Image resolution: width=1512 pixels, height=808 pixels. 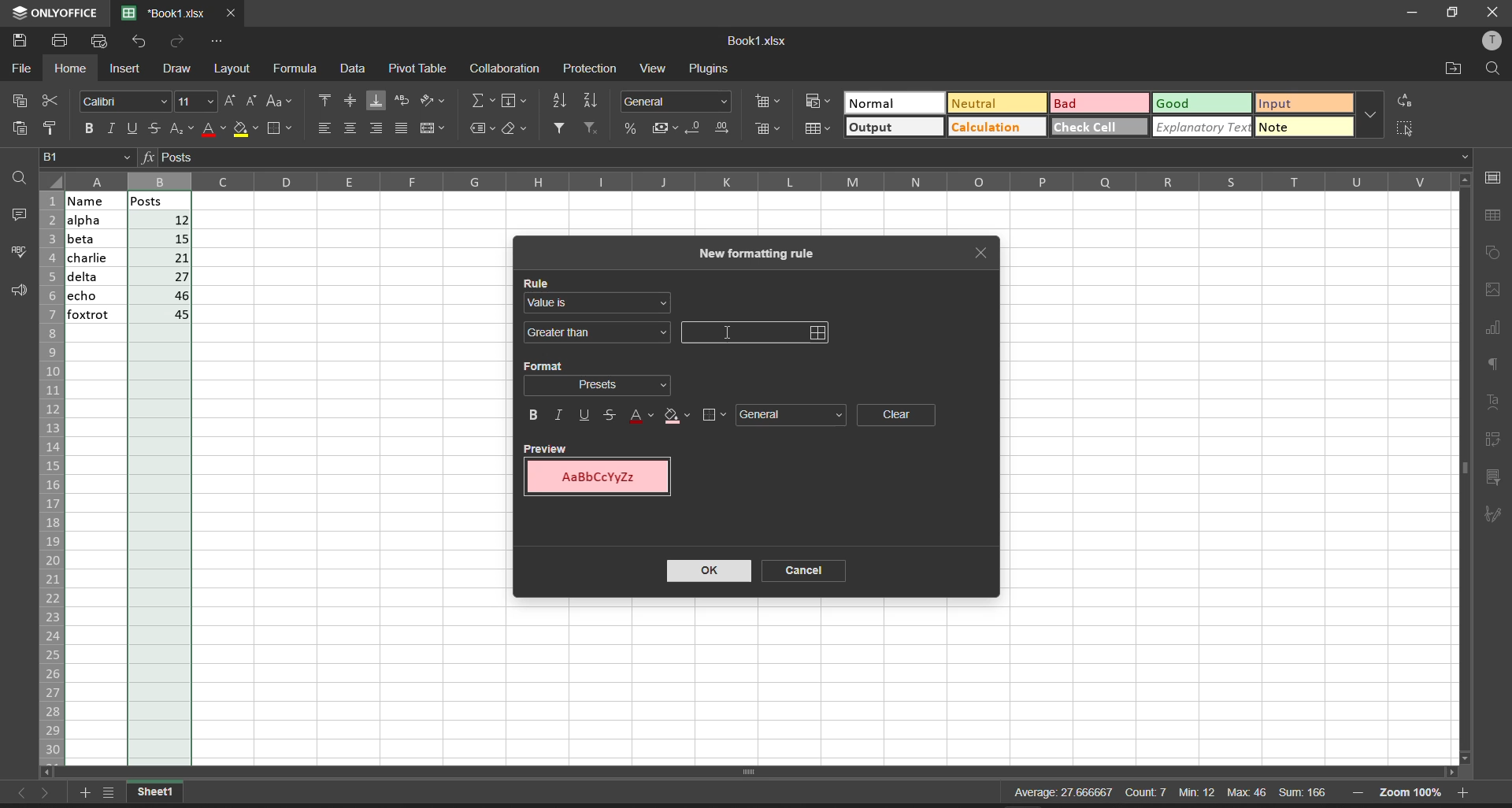 What do you see at coordinates (1495, 438) in the screenshot?
I see `pivot table settings` at bounding box center [1495, 438].